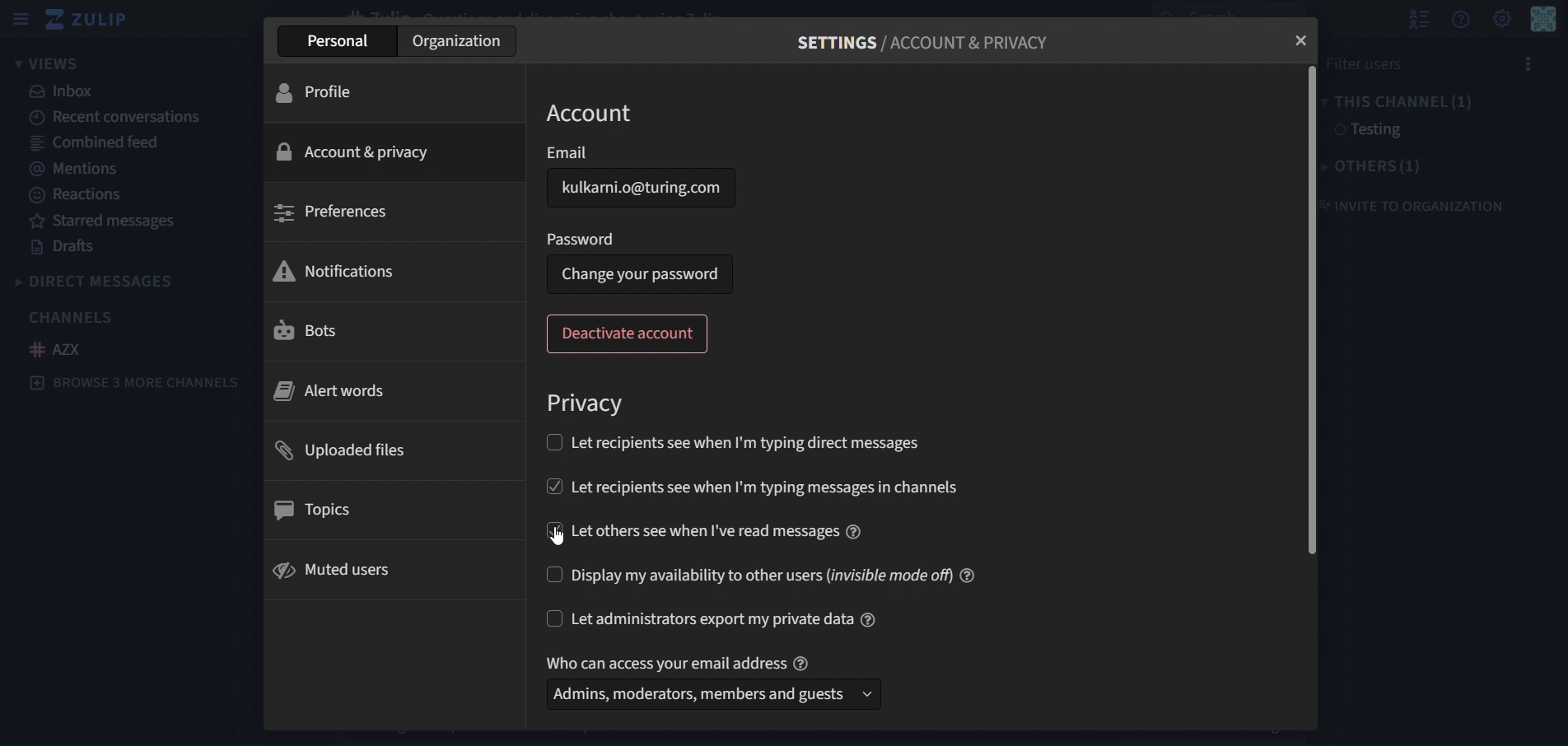 The height and width of the screenshot is (746, 1568). I want to click on this channel(1), so click(1404, 102).